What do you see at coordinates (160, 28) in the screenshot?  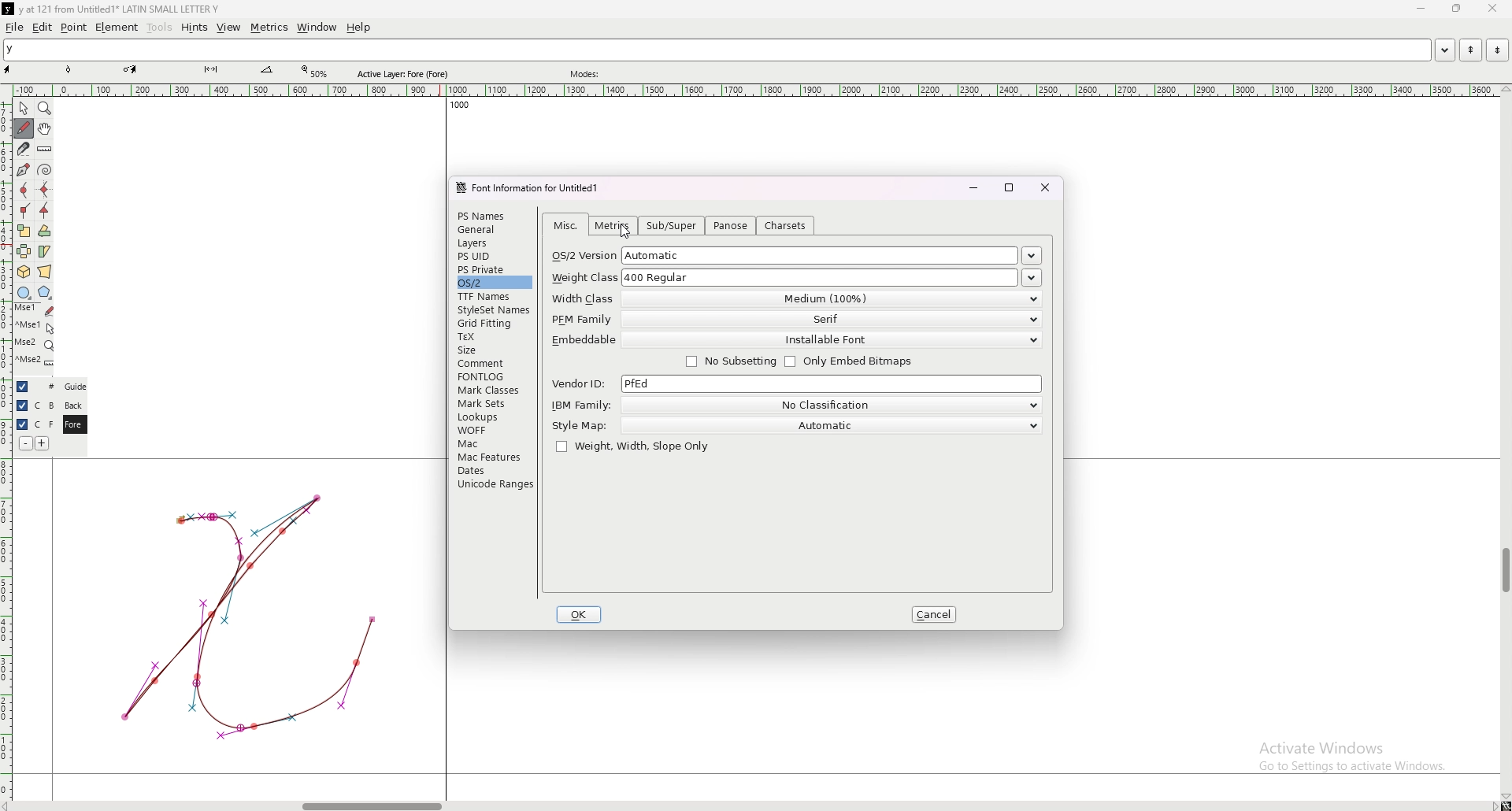 I see `tools` at bounding box center [160, 28].